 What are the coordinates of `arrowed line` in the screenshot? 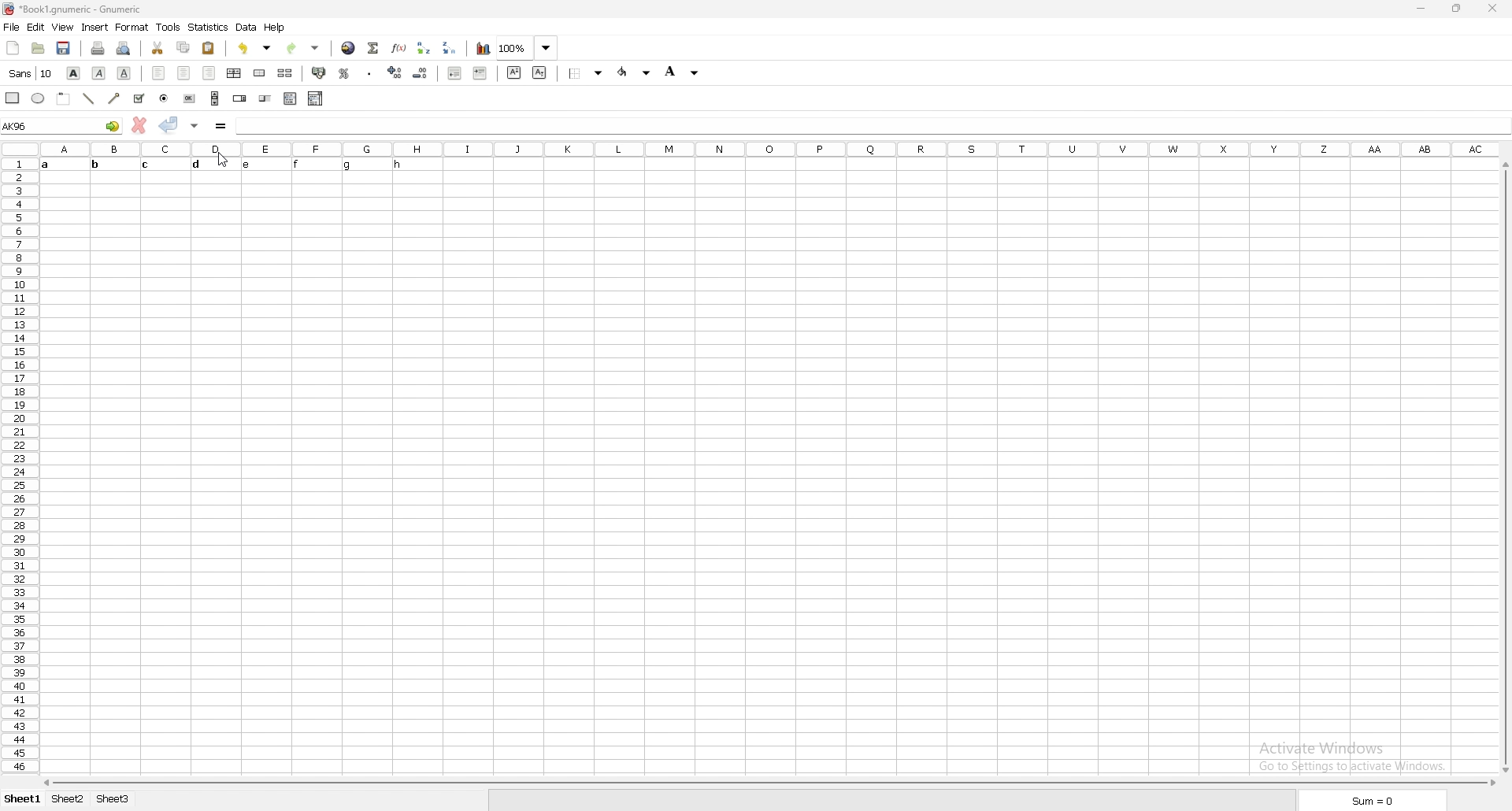 It's located at (114, 99).